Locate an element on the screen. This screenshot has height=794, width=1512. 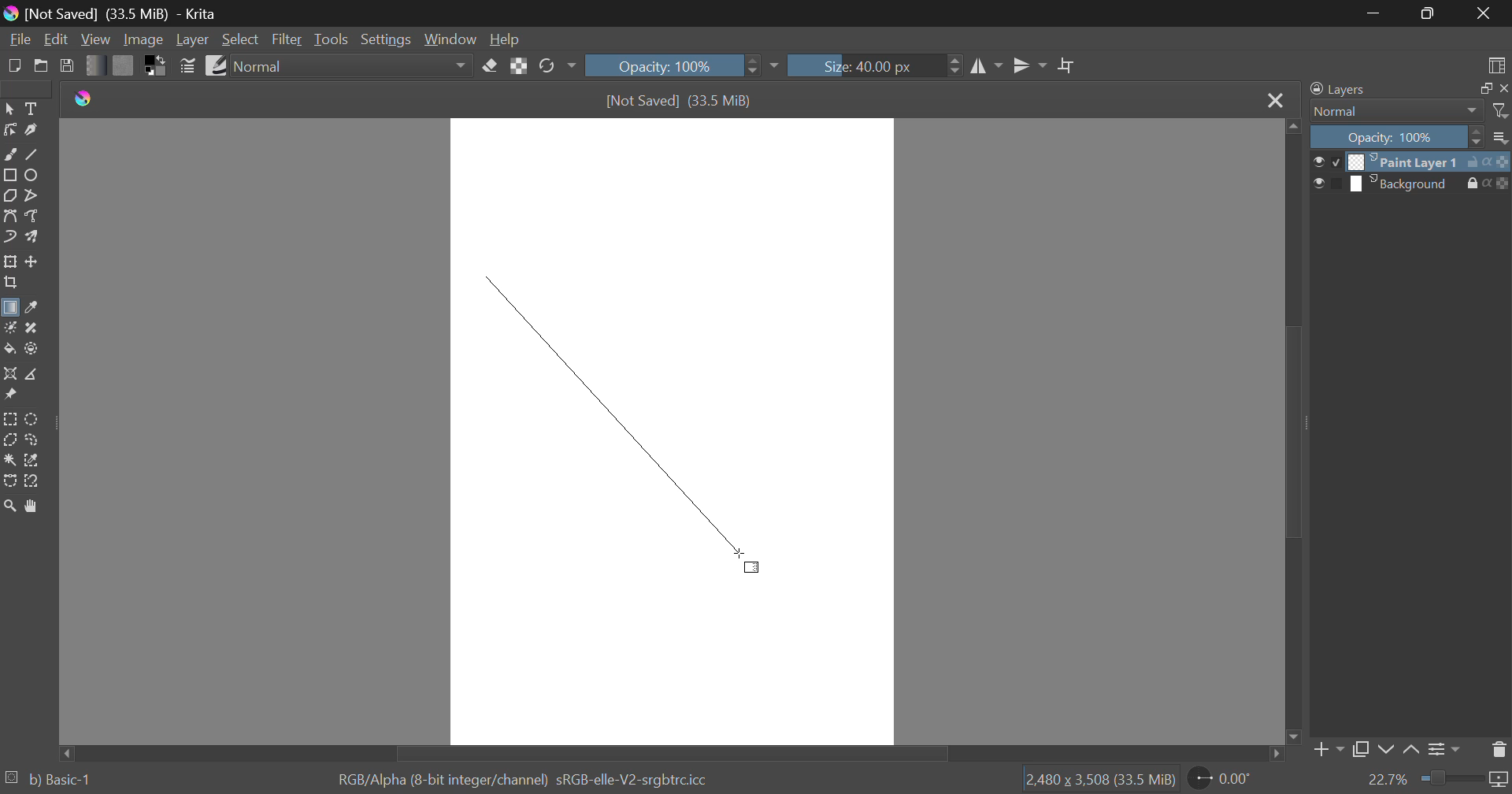
Horizontal Mirror Flip is located at coordinates (1026, 68).